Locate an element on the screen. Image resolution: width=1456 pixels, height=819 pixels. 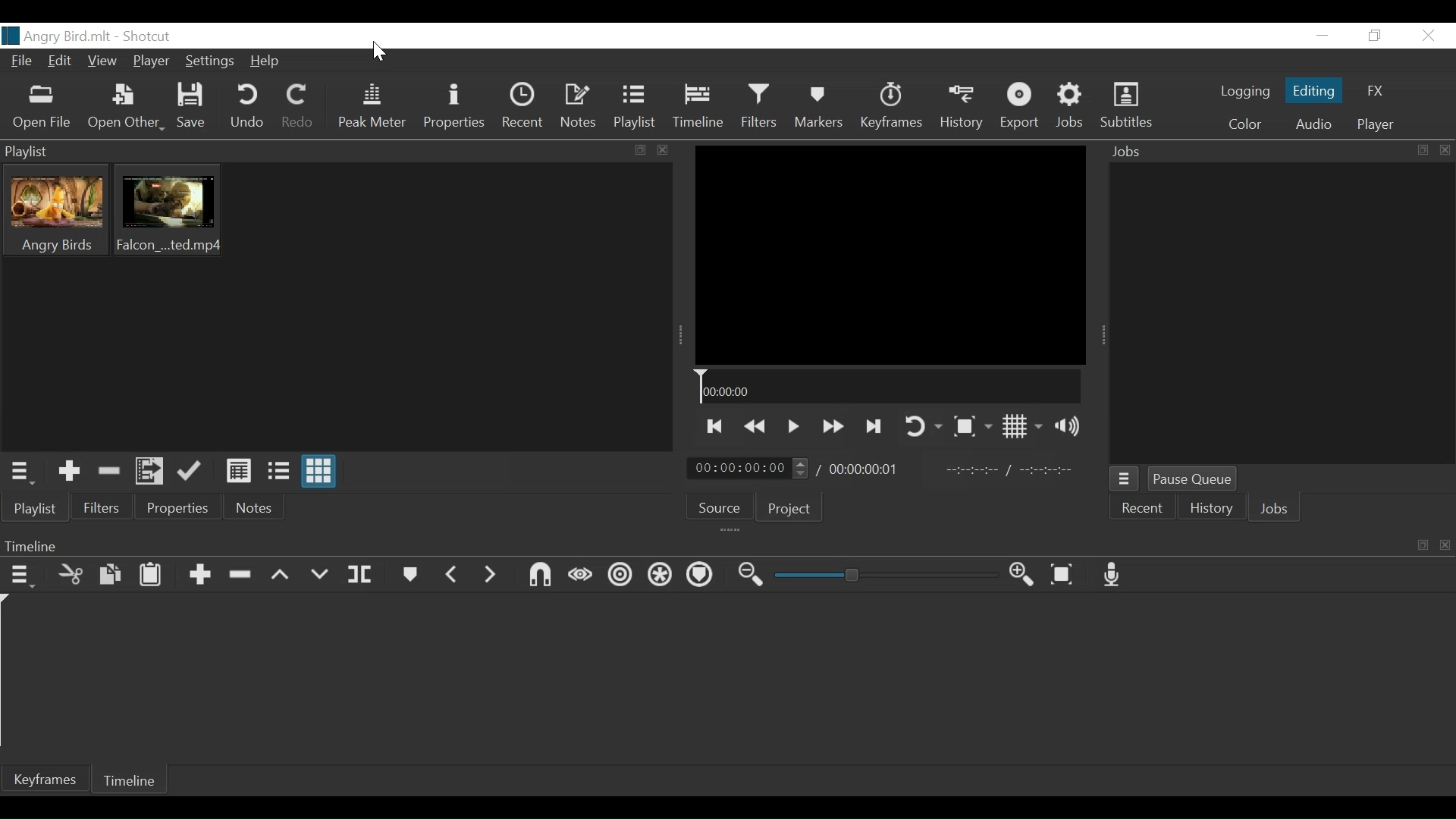
Playlist is located at coordinates (634, 108).